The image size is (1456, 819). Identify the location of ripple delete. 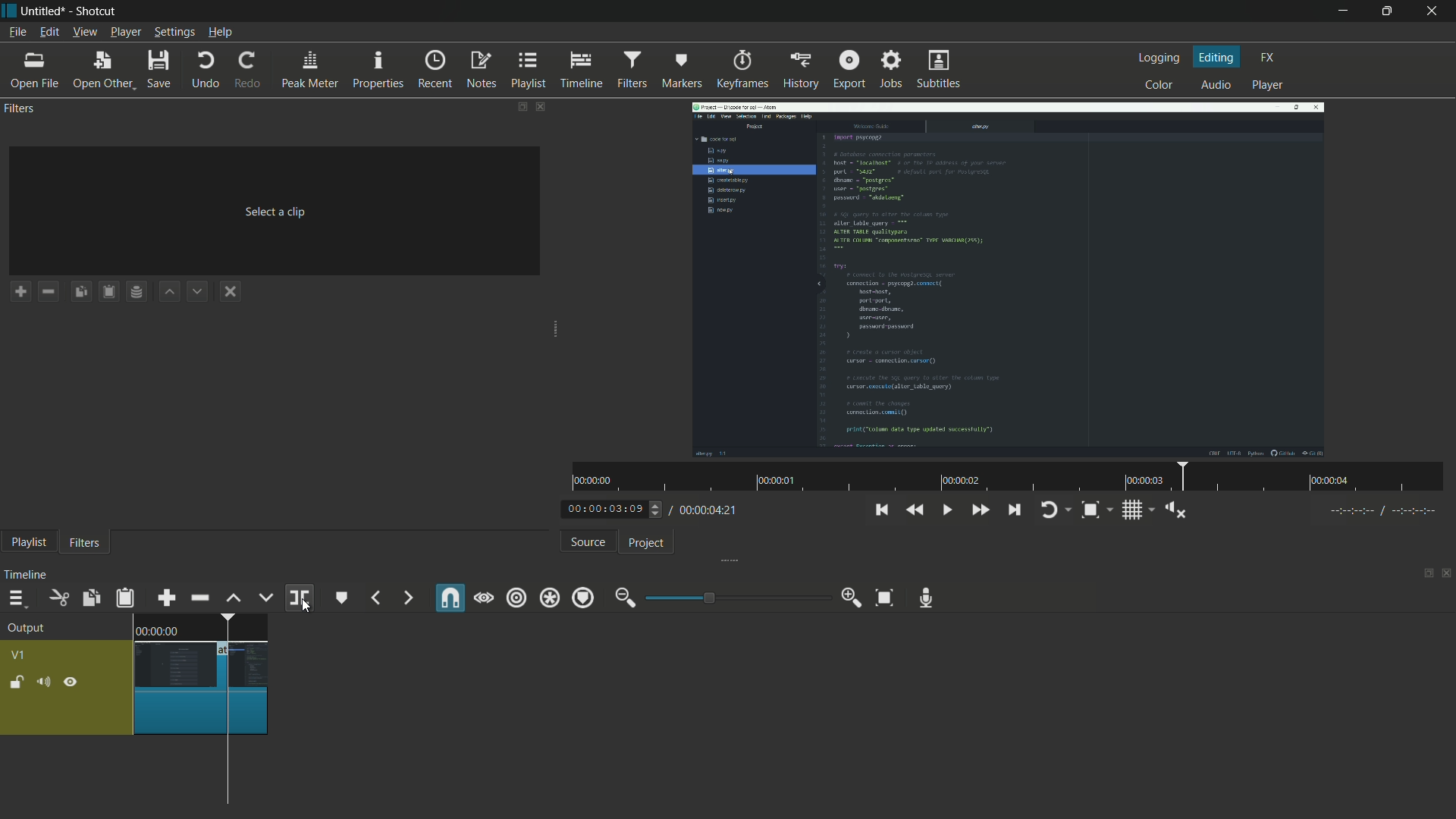
(199, 598).